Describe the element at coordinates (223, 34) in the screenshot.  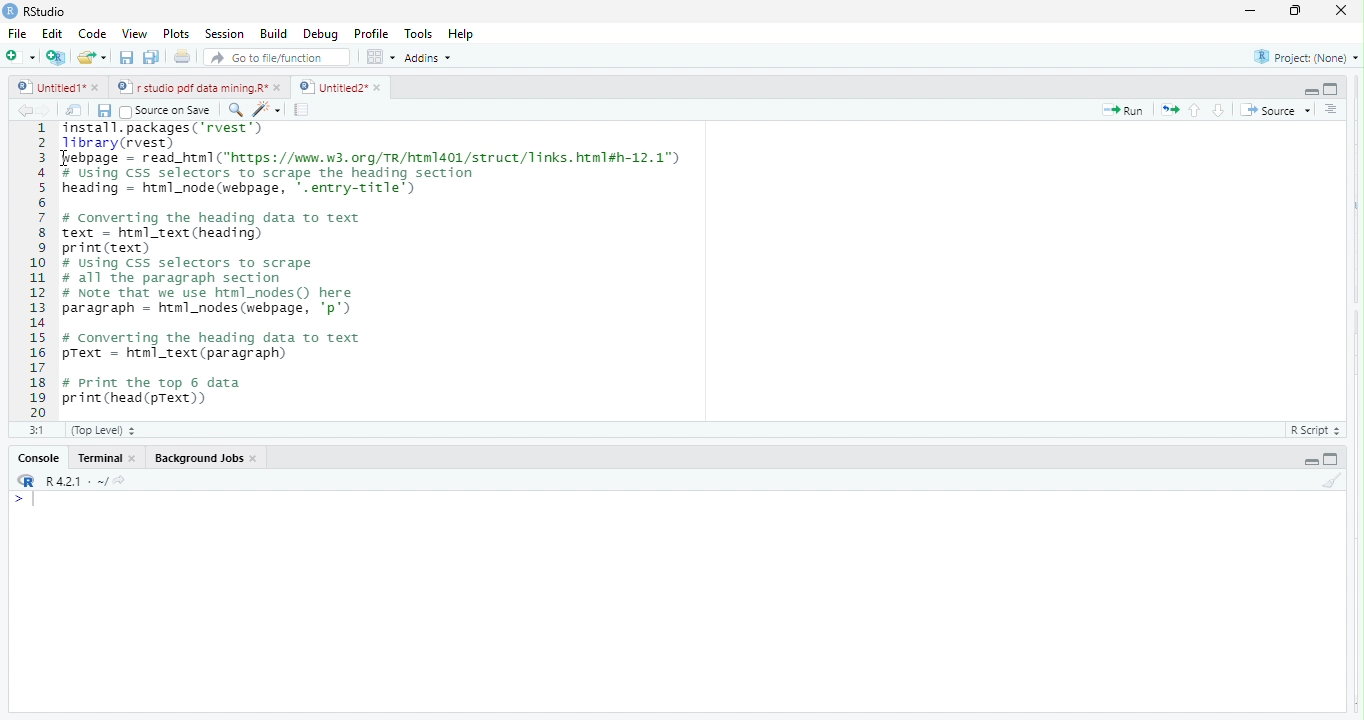
I see `‘Session` at that location.